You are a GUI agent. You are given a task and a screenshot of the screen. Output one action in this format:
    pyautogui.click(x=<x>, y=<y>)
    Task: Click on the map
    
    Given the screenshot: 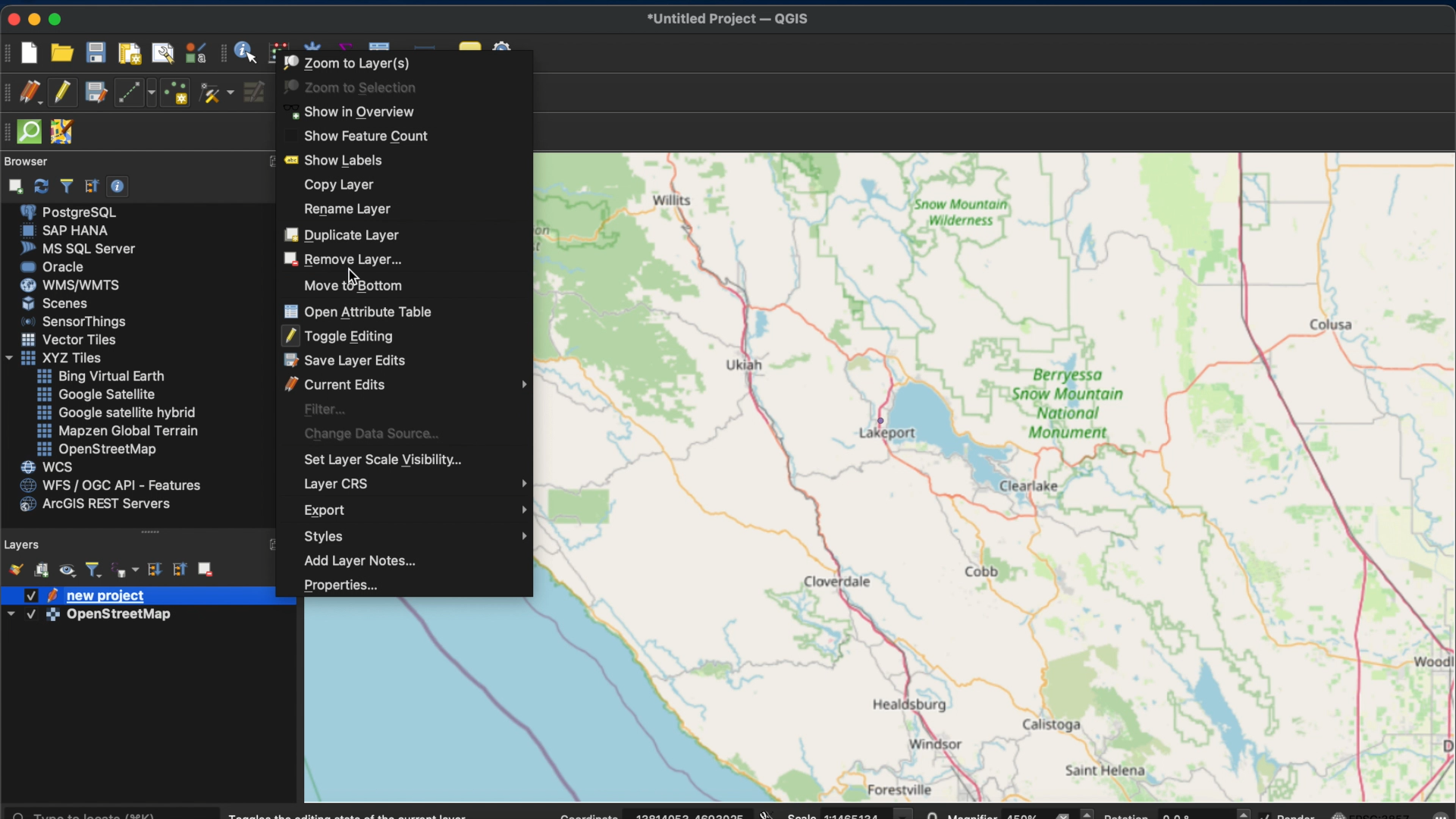 What is the action you would take?
    pyautogui.click(x=1003, y=474)
    